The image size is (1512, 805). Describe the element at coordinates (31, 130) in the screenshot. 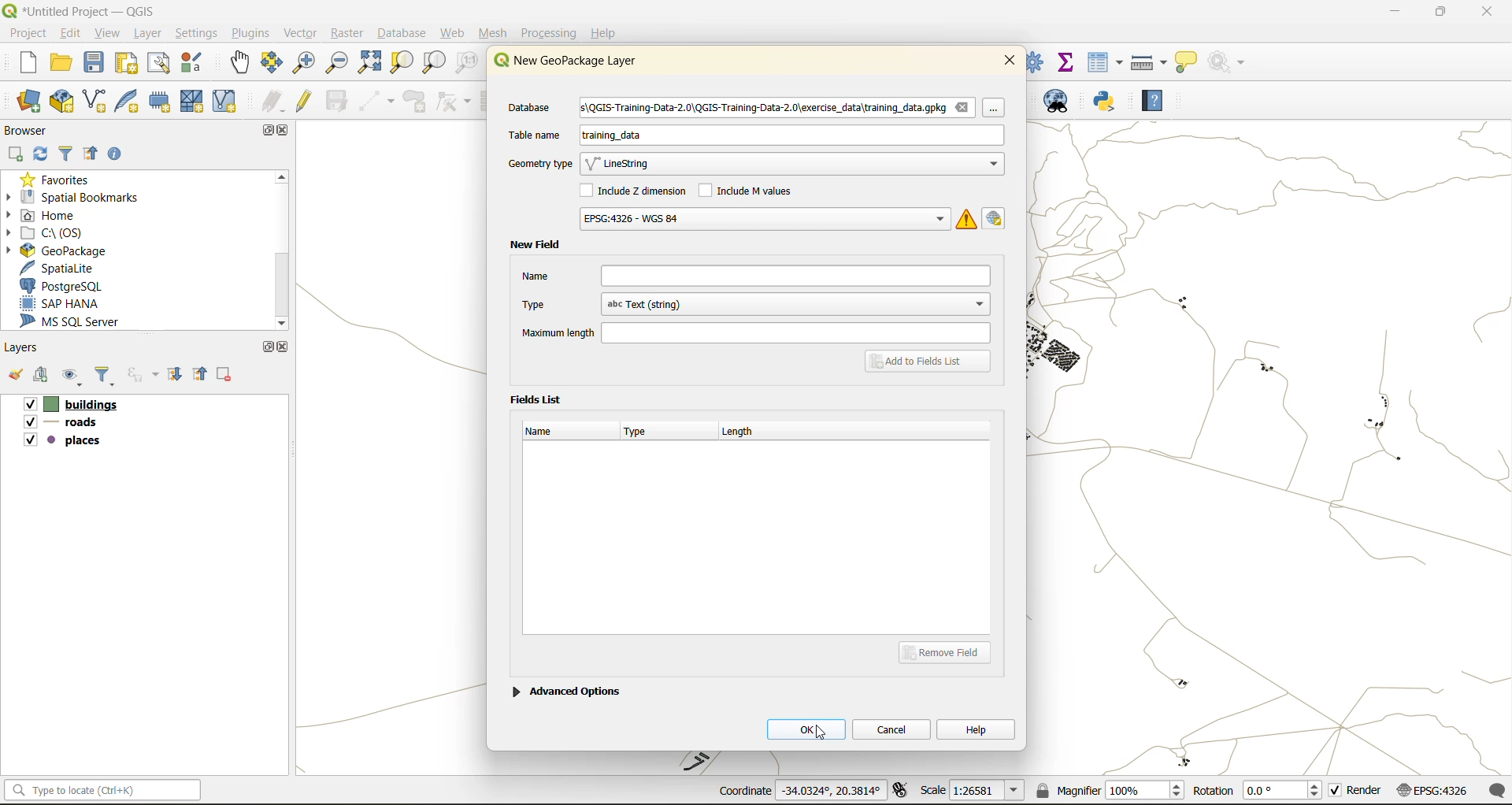

I see `browser` at that location.